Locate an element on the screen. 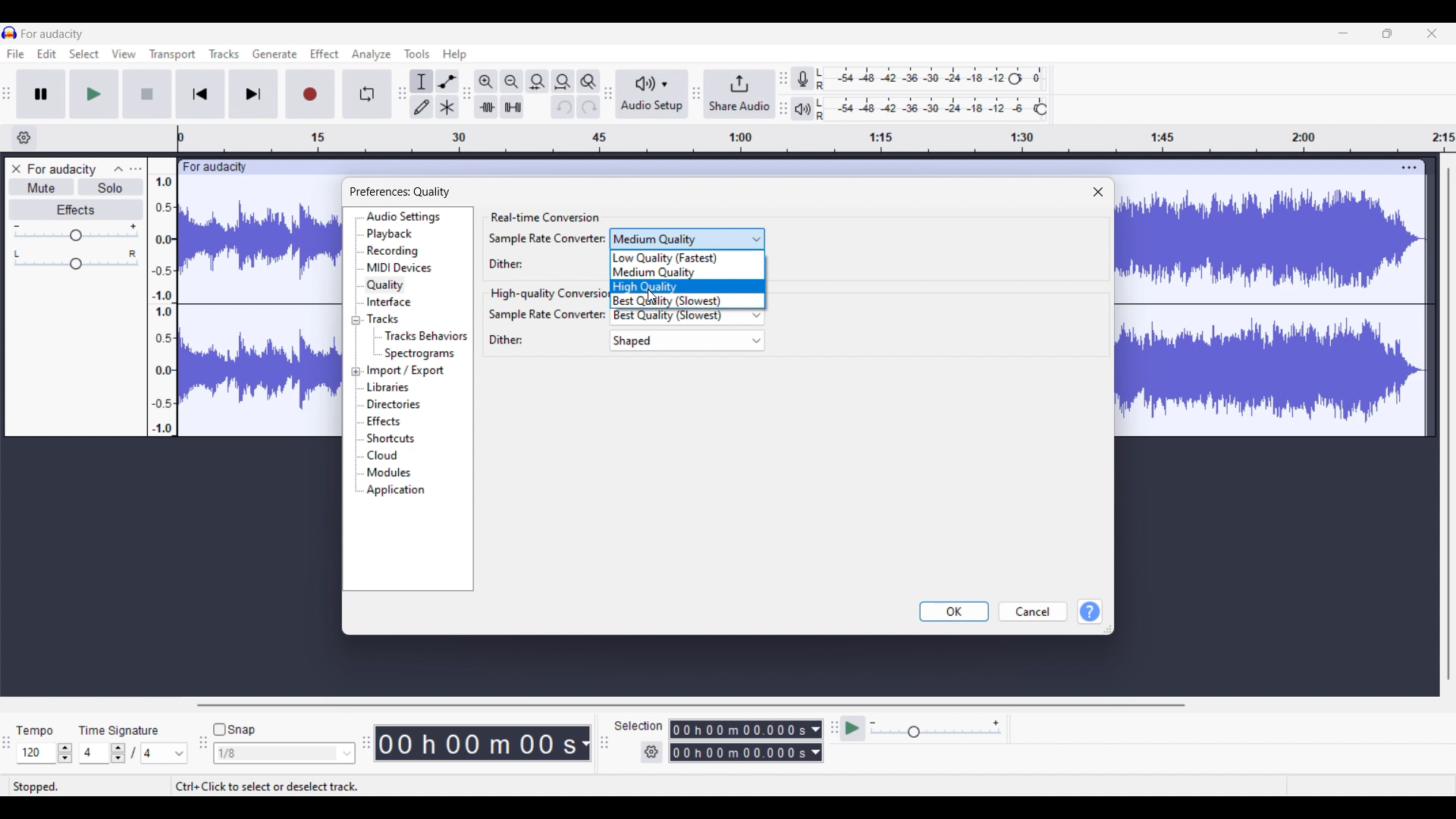  Settings is located at coordinates (651, 752).